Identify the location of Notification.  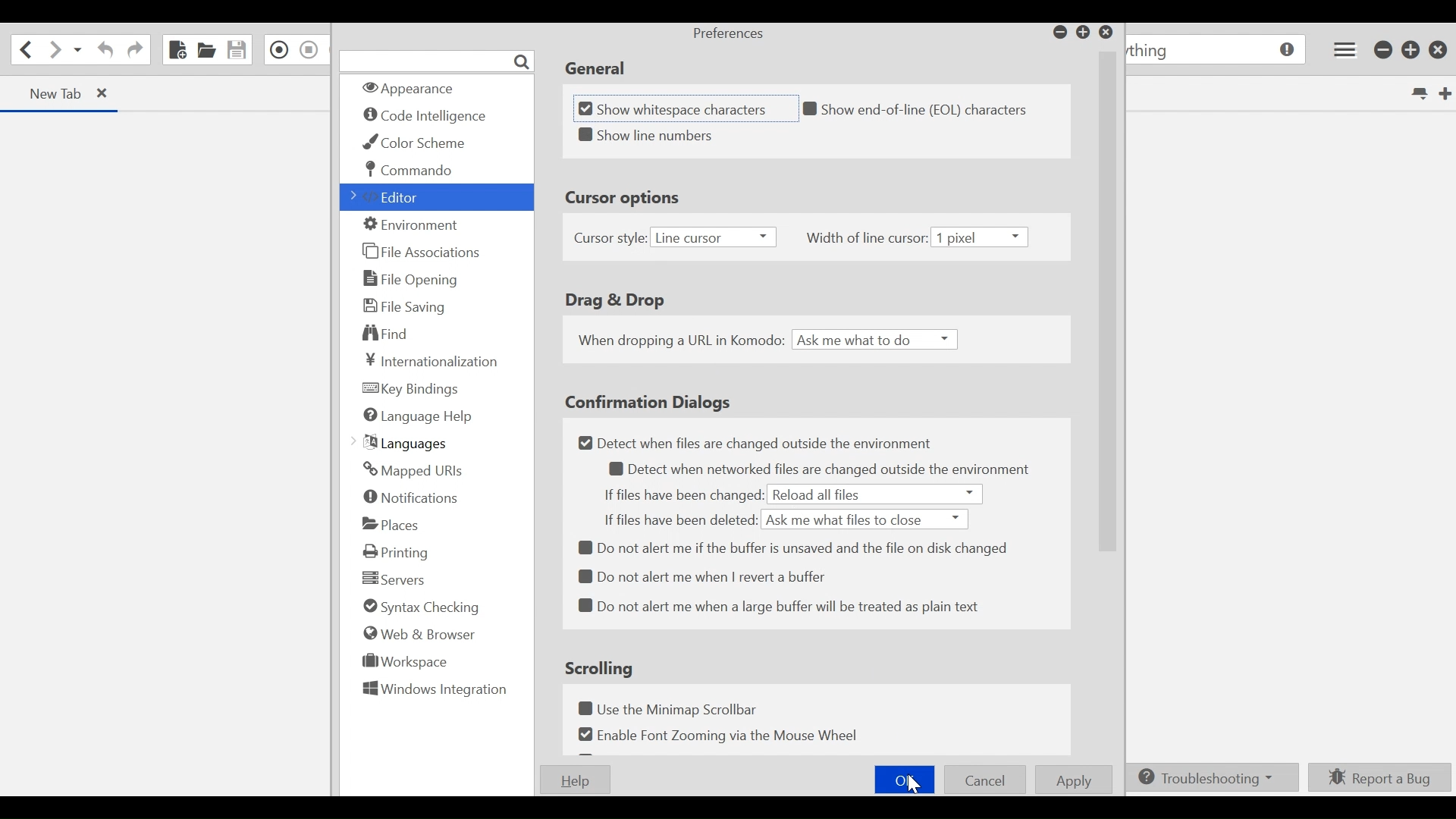
(408, 496).